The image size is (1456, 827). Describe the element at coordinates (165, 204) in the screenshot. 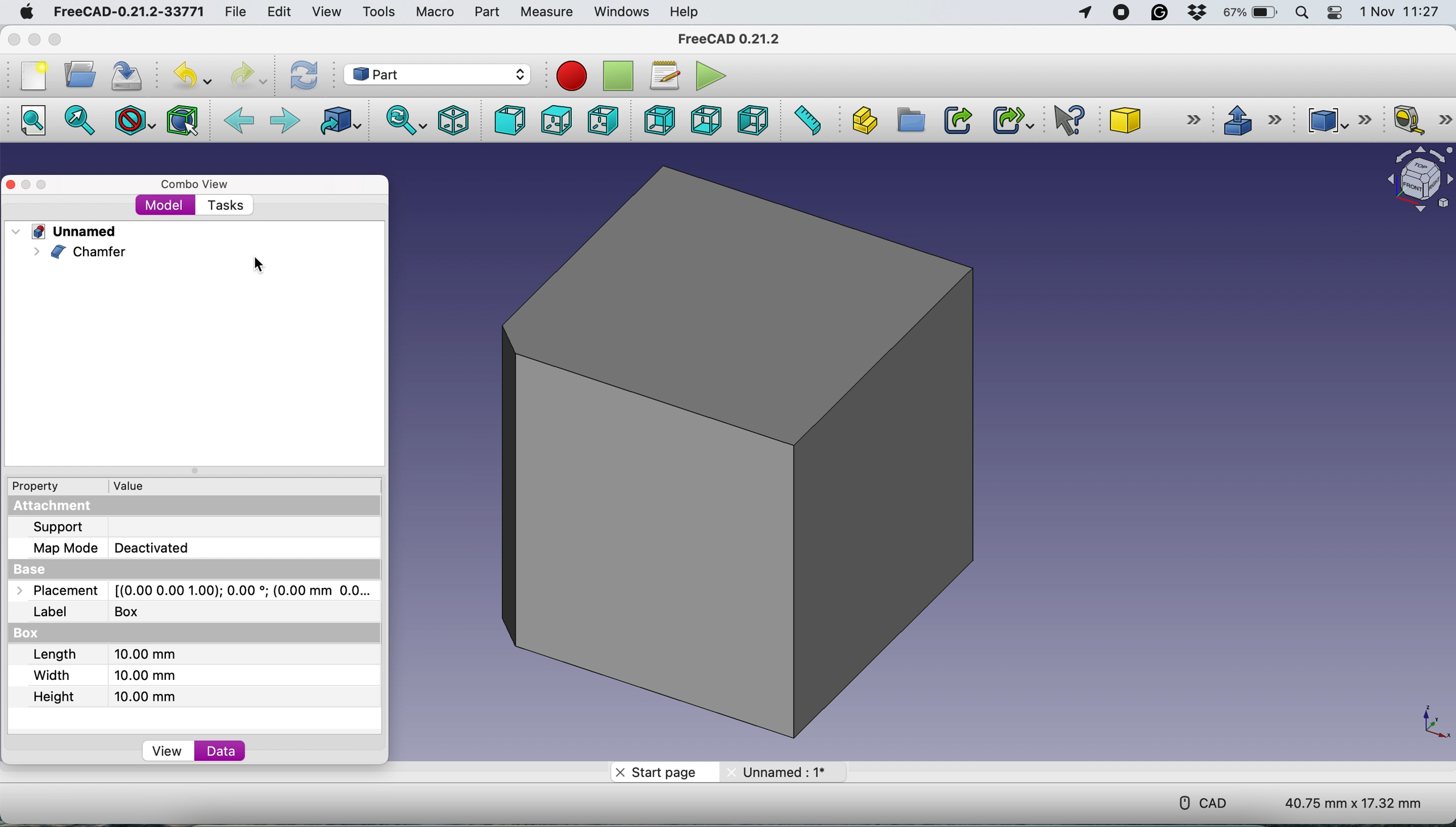

I see `model` at that location.